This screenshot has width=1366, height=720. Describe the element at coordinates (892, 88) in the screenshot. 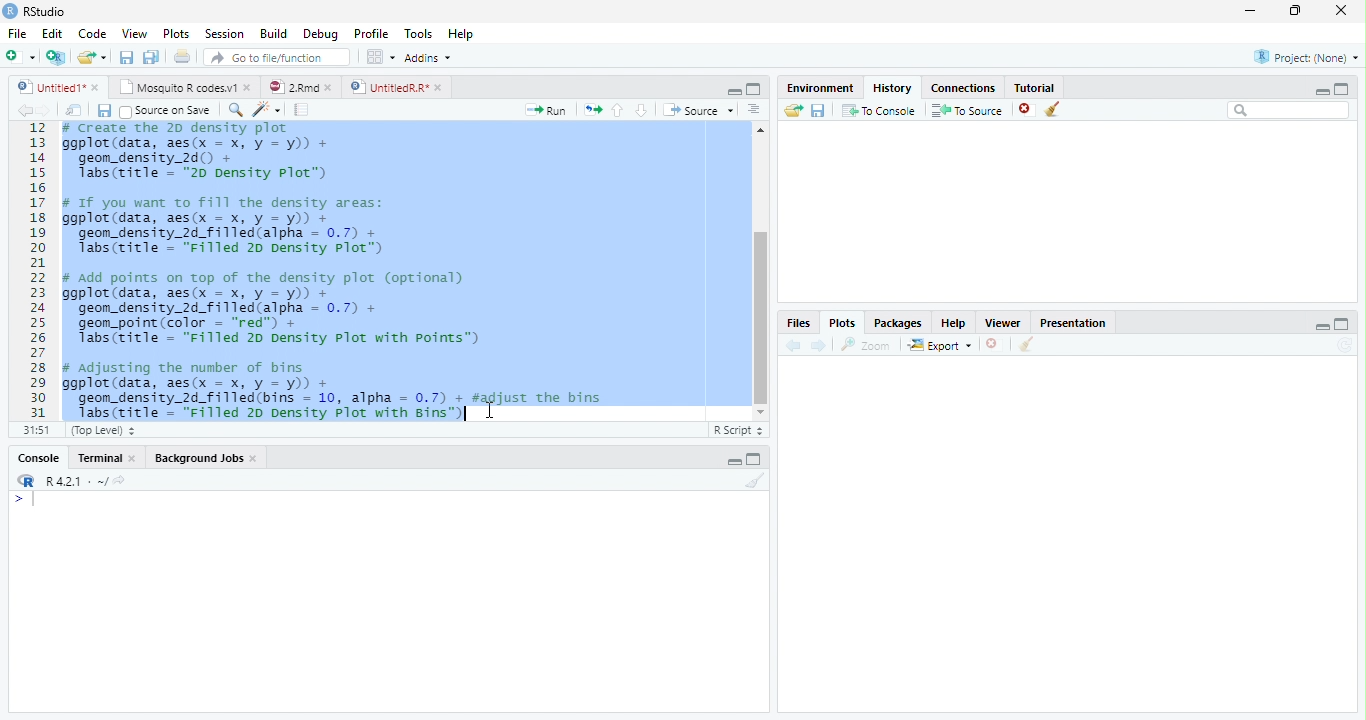

I see `History` at that location.